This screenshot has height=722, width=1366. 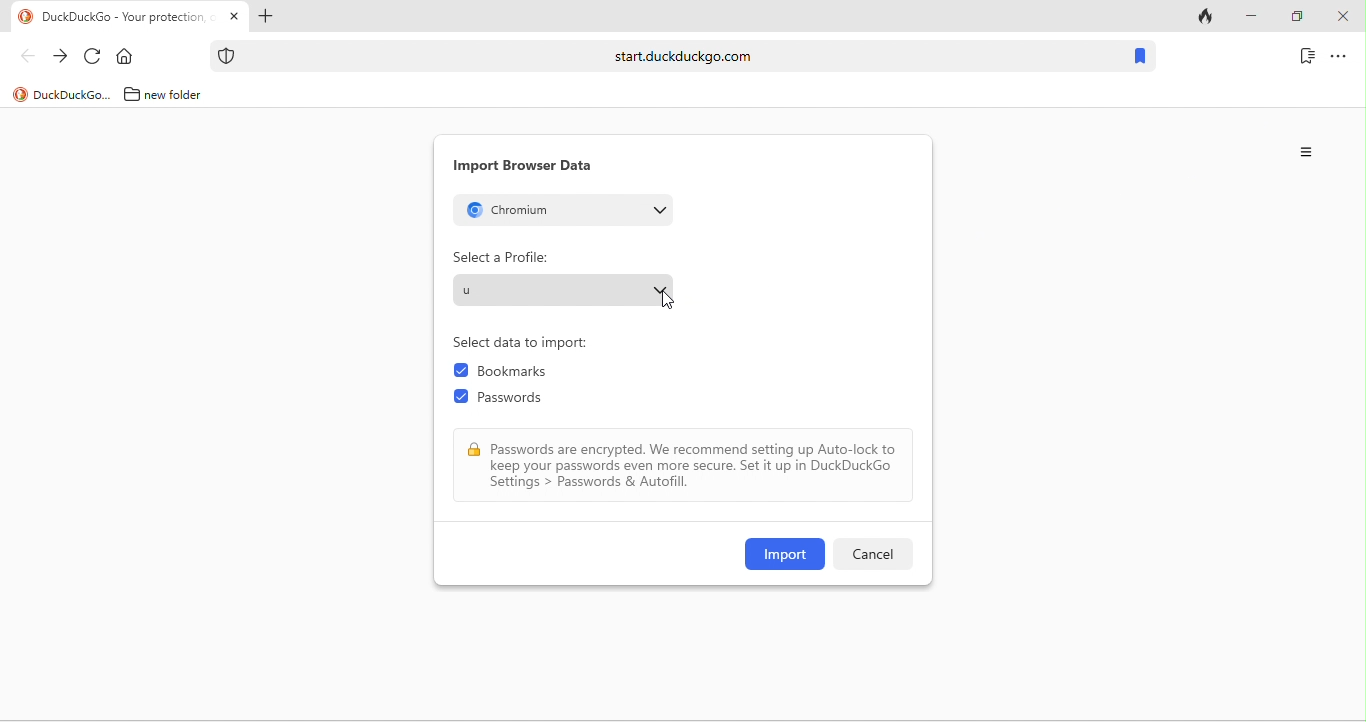 What do you see at coordinates (128, 18) in the screenshot?
I see `DuckDuckGo - Your protection` at bounding box center [128, 18].